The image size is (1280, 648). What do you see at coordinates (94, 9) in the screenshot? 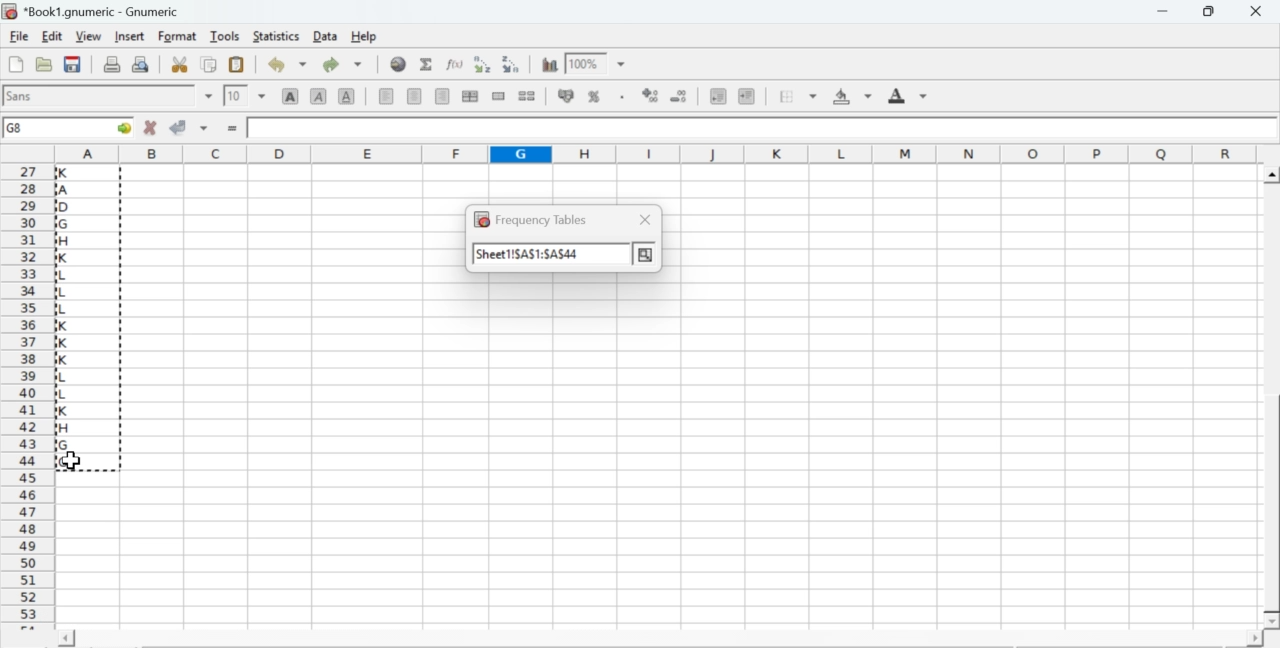
I see `application name` at bounding box center [94, 9].